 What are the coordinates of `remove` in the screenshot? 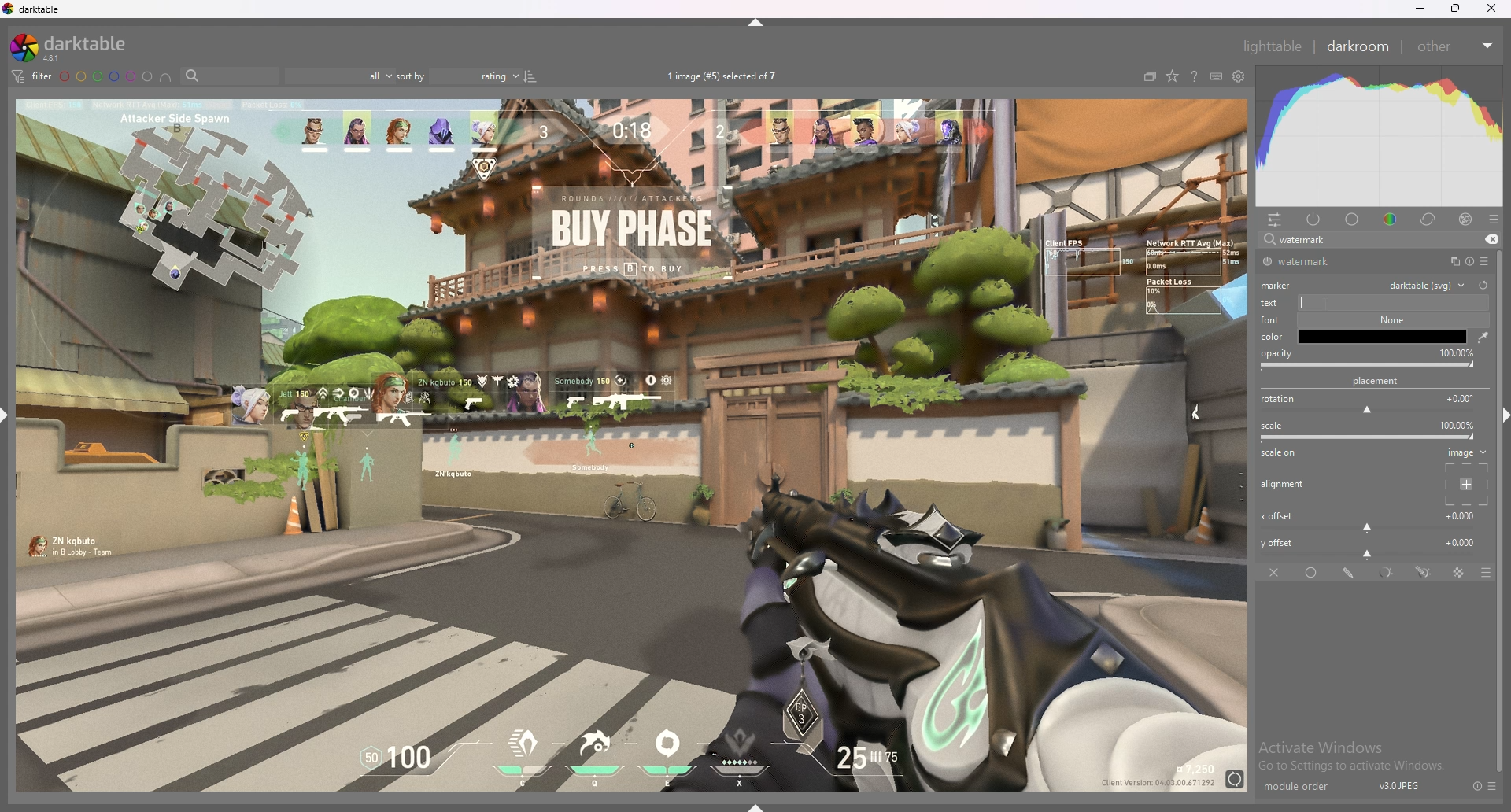 It's located at (1489, 240).